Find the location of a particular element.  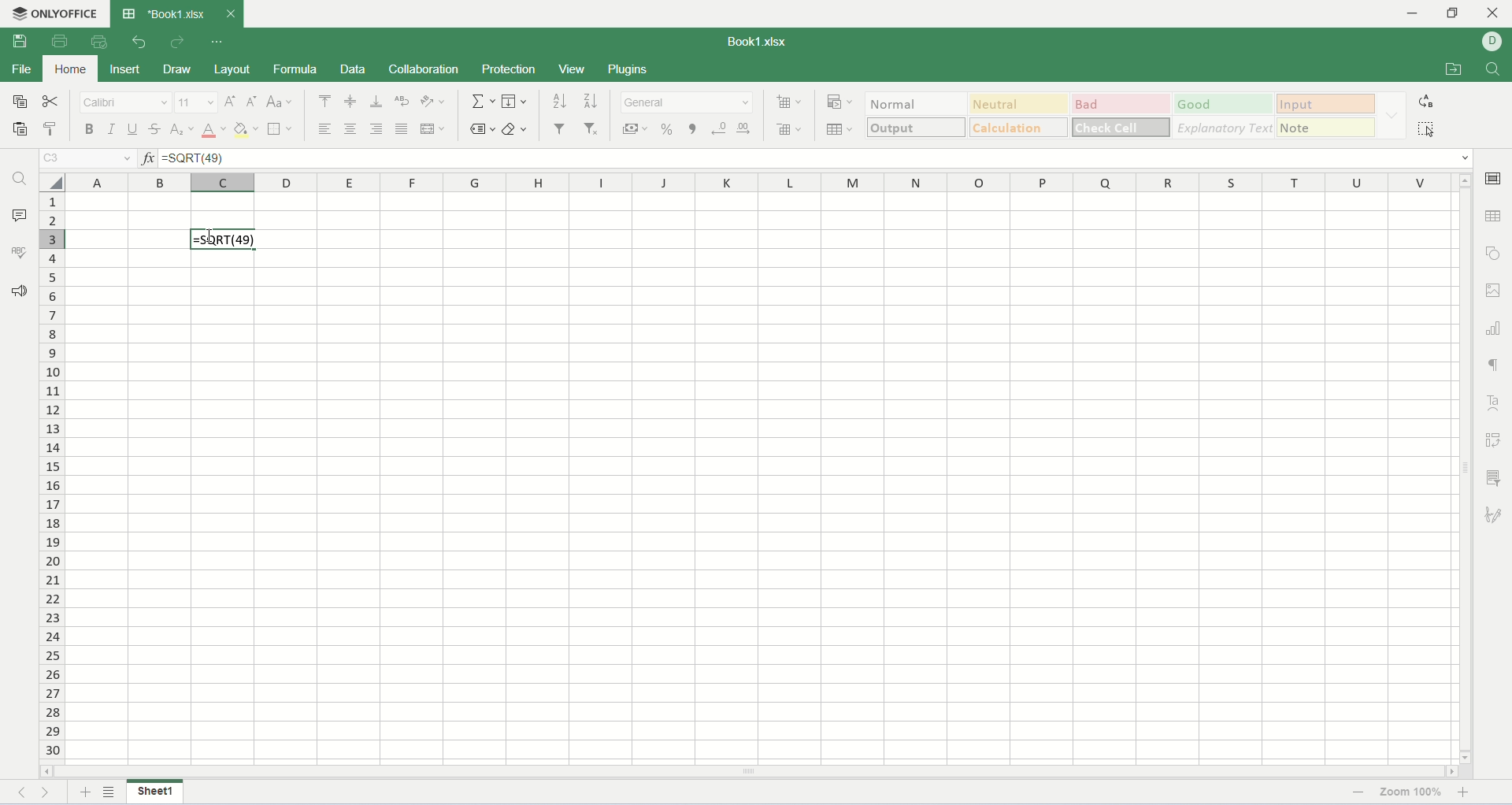

calculation is located at coordinates (1021, 127).